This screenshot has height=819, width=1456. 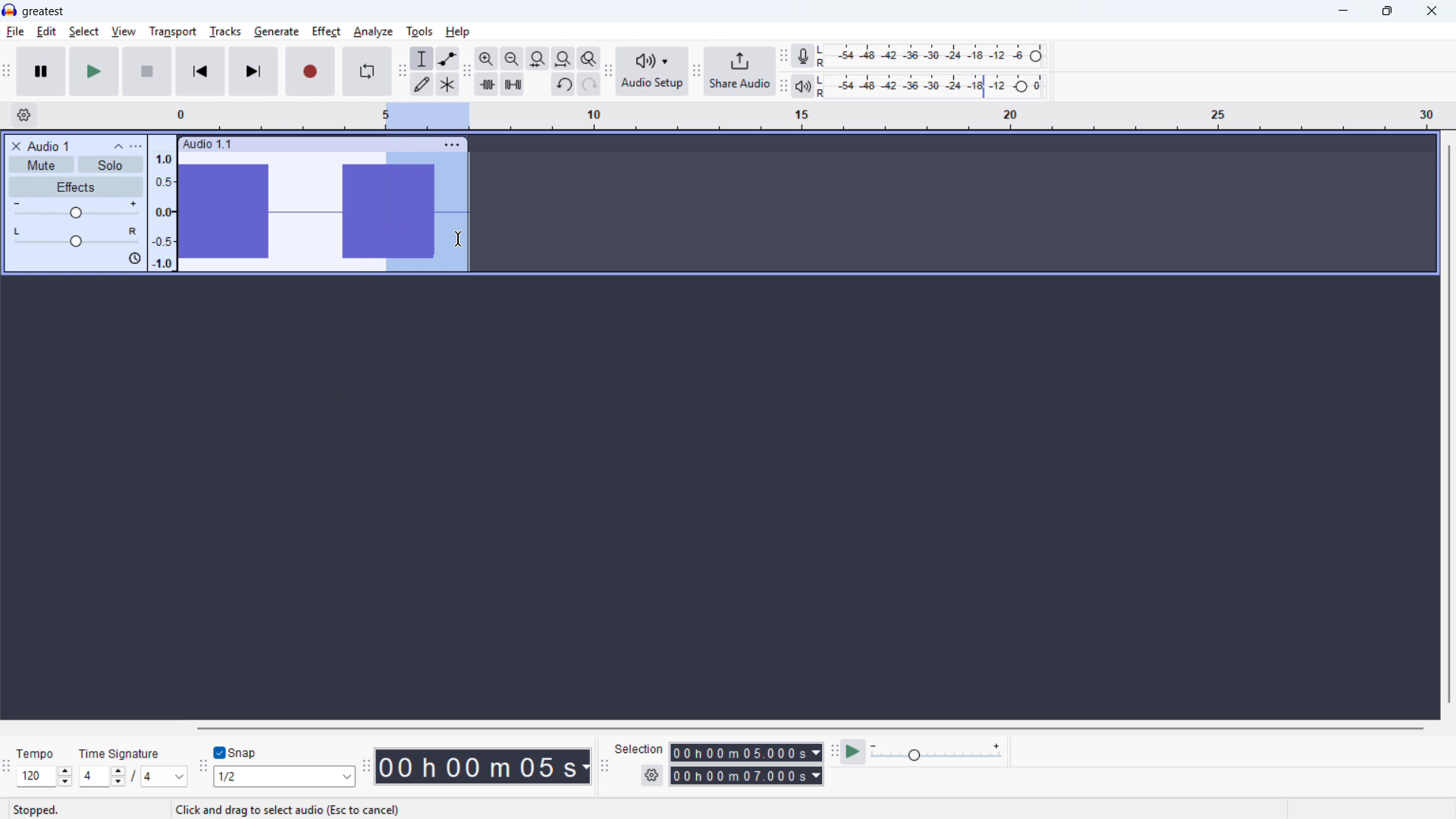 What do you see at coordinates (422, 84) in the screenshot?
I see `Draw tool ` at bounding box center [422, 84].